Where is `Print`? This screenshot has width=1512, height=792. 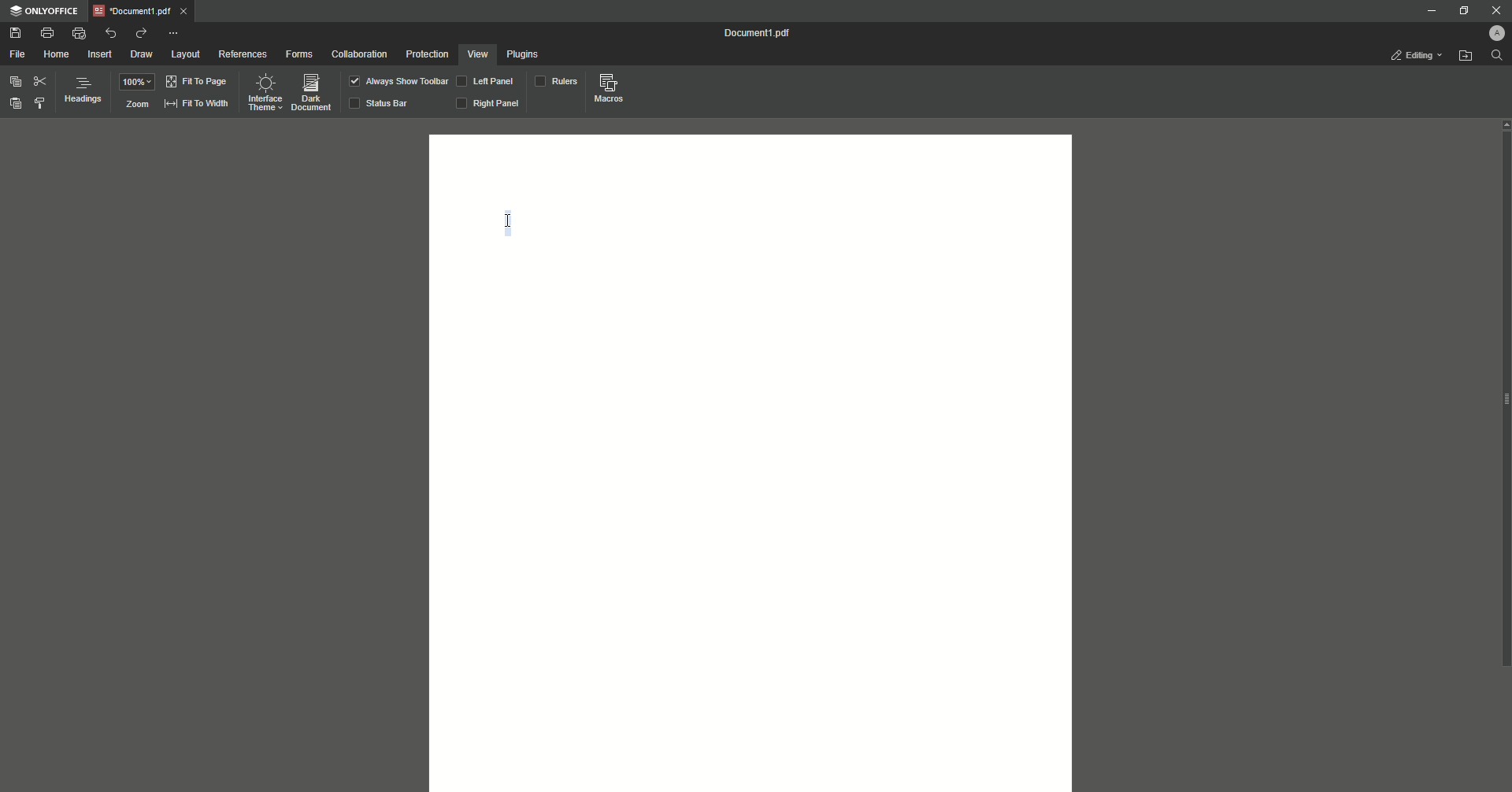 Print is located at coordinates (46, 31).